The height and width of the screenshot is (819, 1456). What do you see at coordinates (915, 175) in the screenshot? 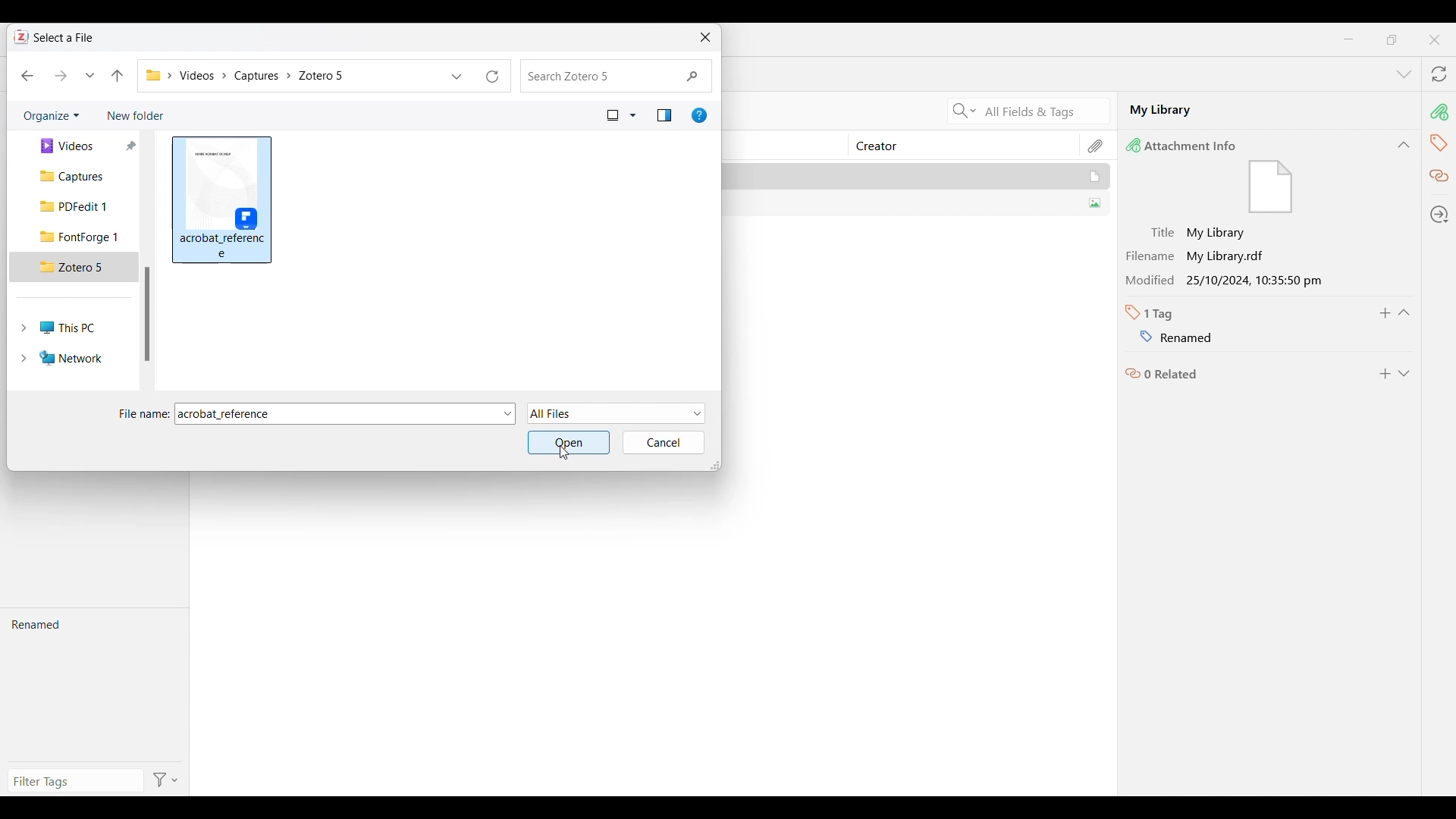
I see `My Library` at bounding box center [915, 175].